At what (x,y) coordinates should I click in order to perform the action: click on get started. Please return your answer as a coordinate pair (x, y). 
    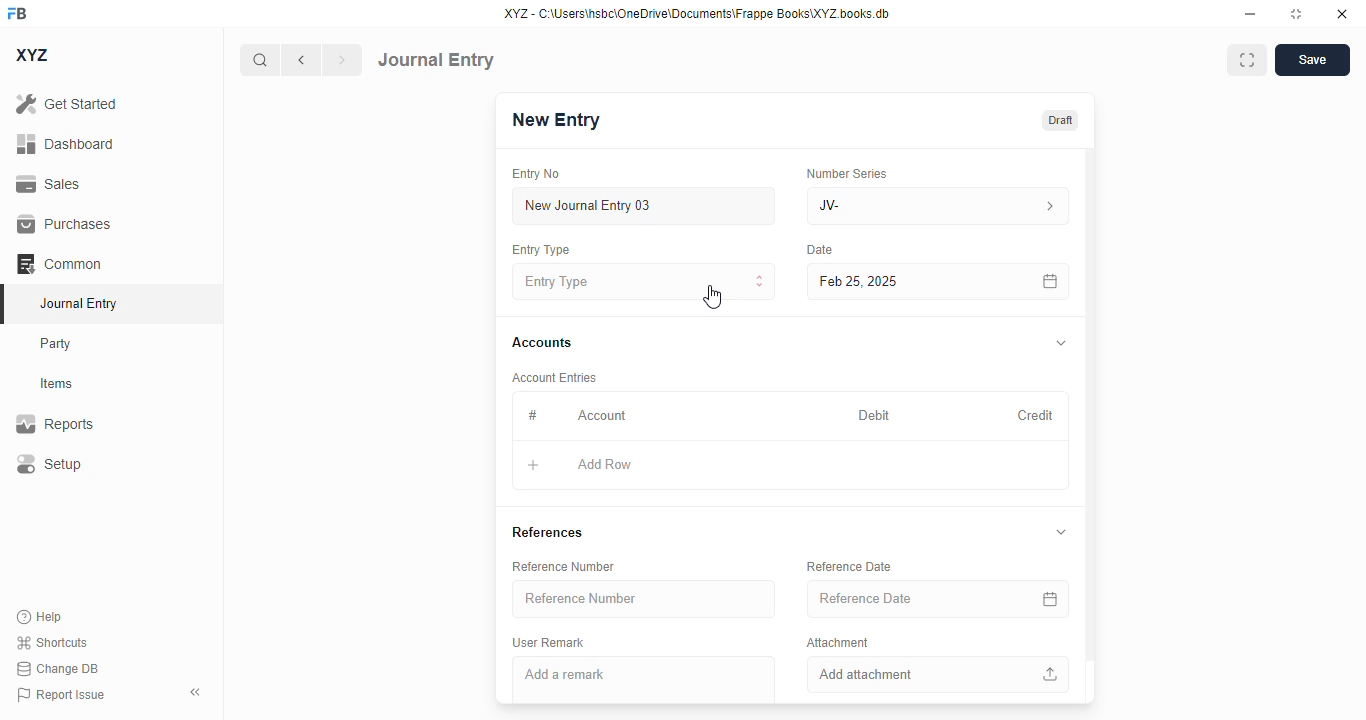
    Looking at the image, I should click on (66, 103).